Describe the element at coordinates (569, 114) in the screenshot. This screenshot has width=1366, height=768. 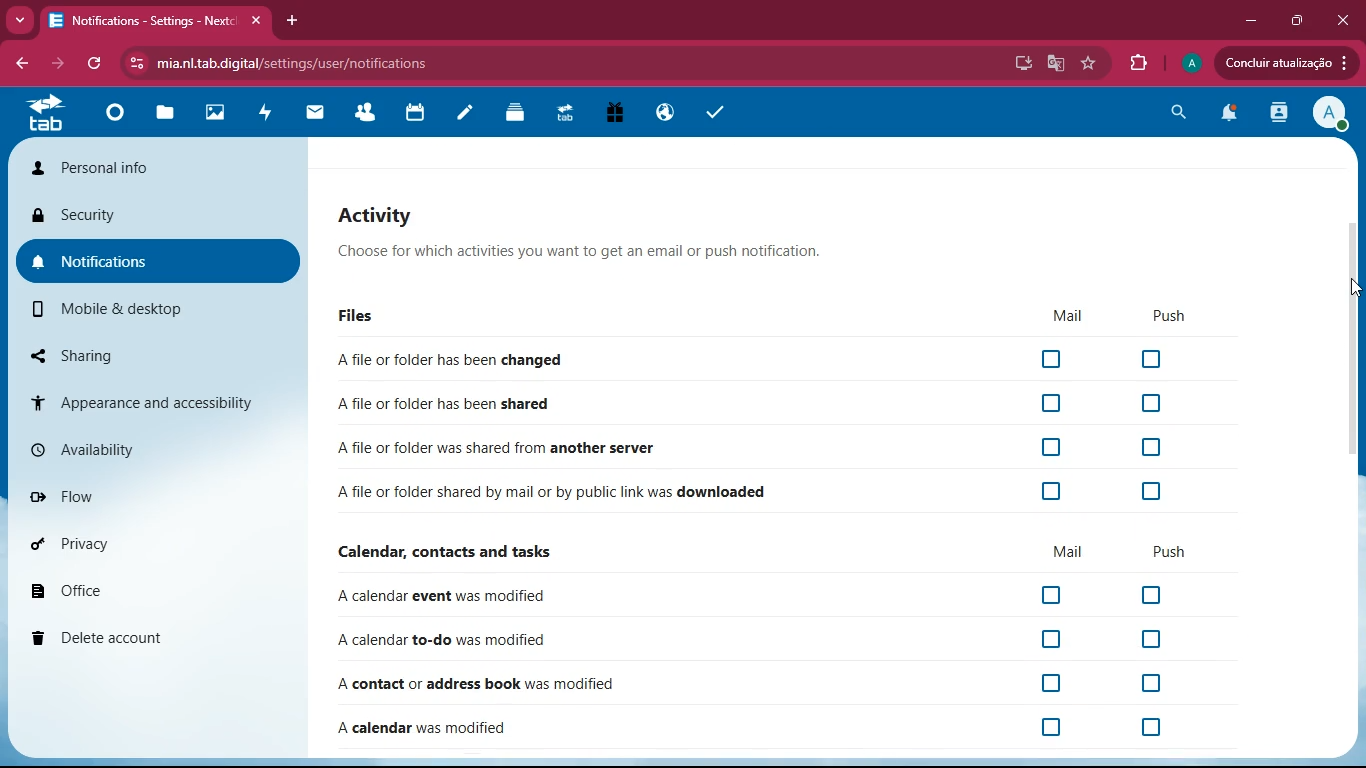
I see `tab` at that location.